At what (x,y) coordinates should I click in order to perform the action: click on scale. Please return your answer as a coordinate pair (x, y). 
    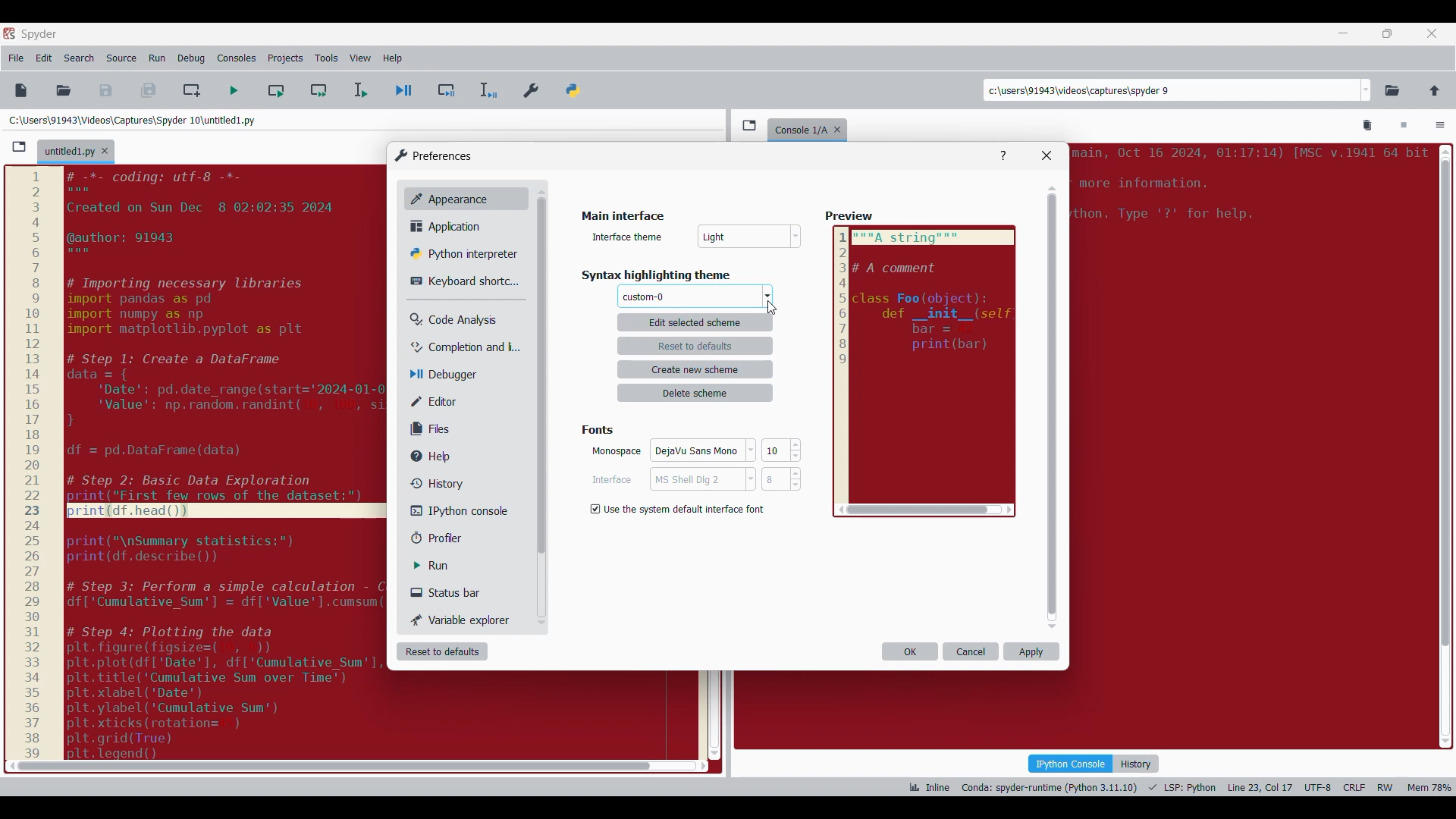
    Looking at the image, I should click on (32, 463).